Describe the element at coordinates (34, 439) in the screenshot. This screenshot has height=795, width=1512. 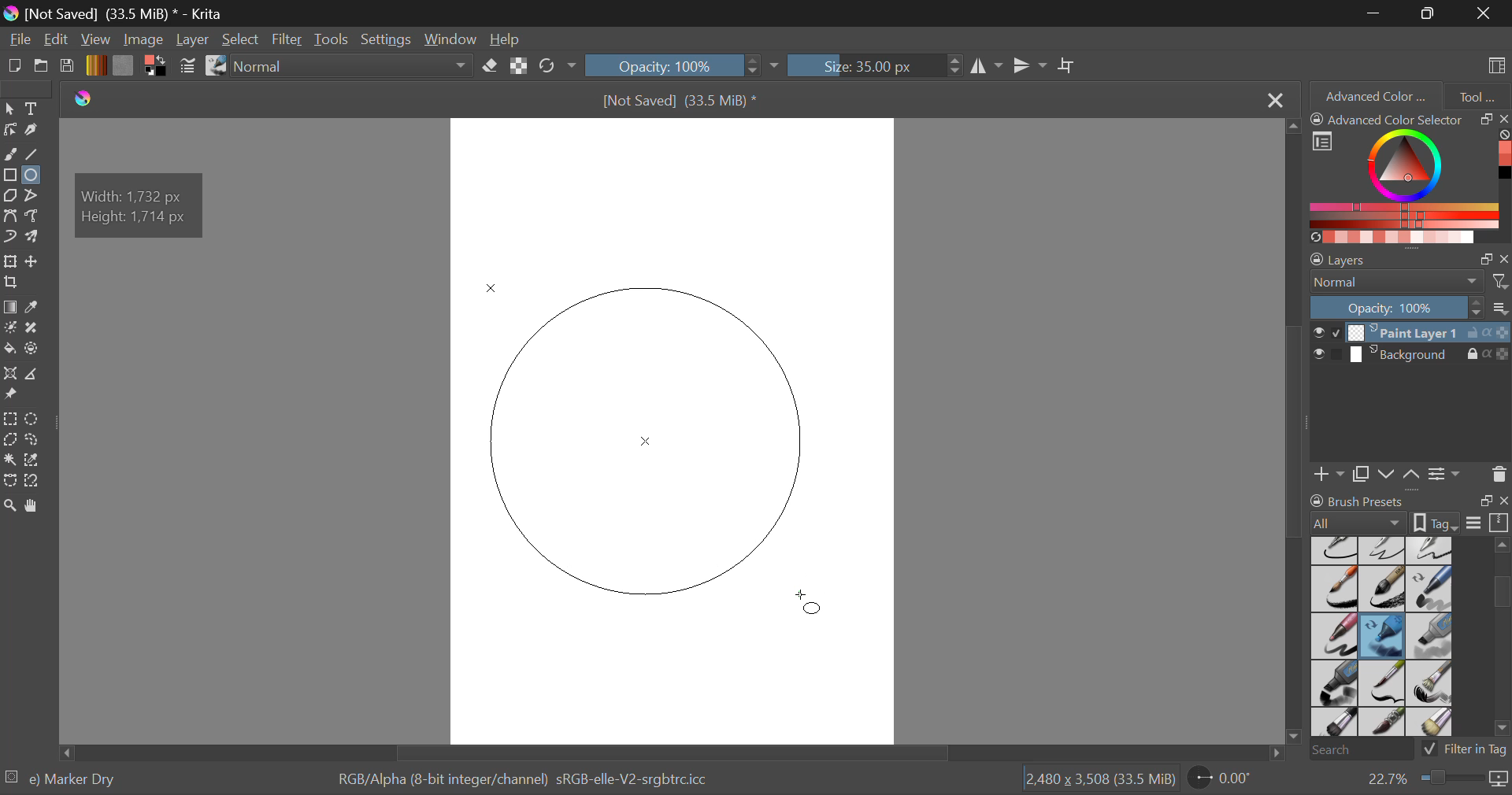
I see `Freehand Selection Tool` at that location.